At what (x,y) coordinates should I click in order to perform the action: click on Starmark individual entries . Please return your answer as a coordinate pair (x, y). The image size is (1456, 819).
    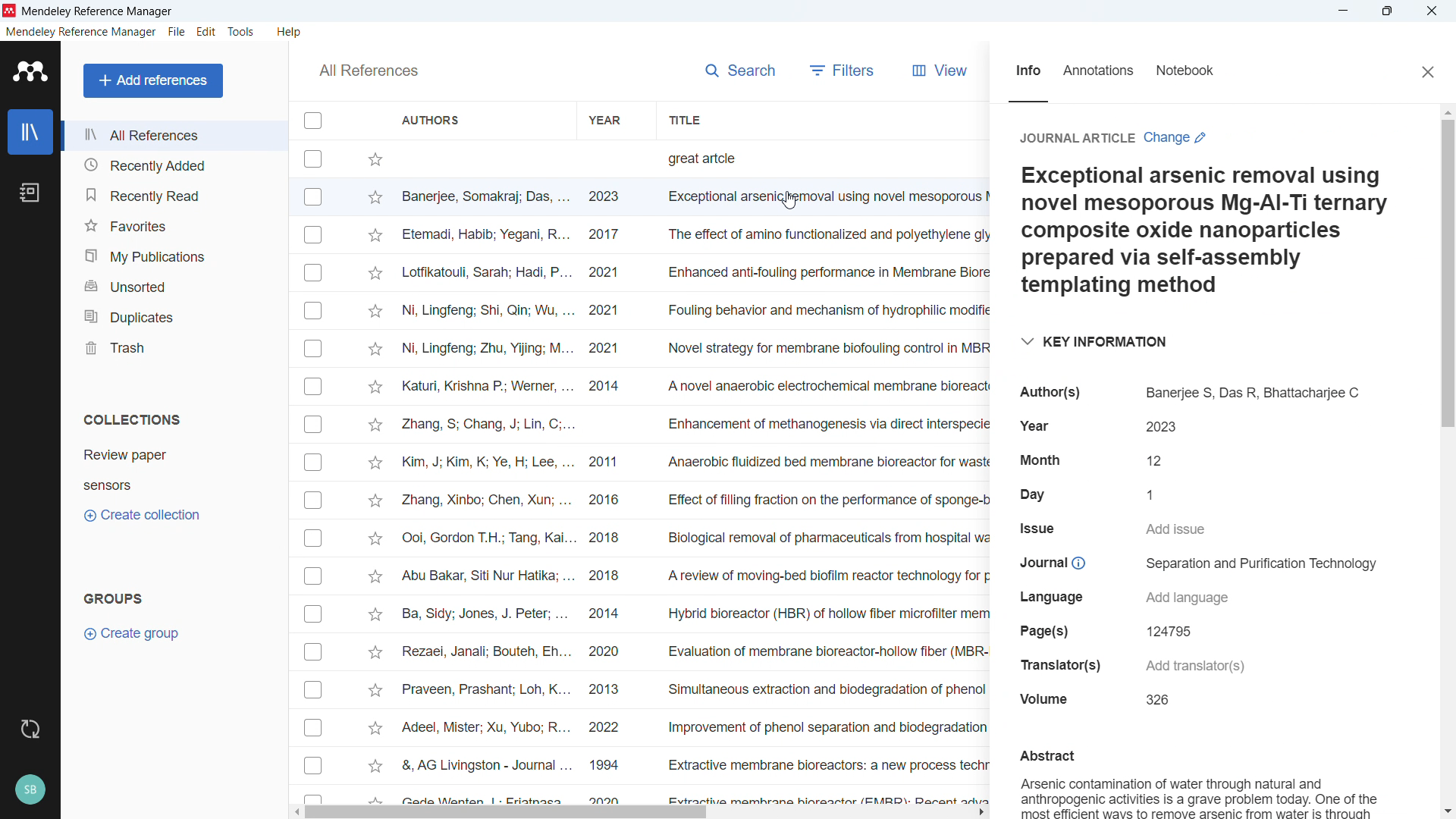
    Looking at the image, I should click on (376, 475).